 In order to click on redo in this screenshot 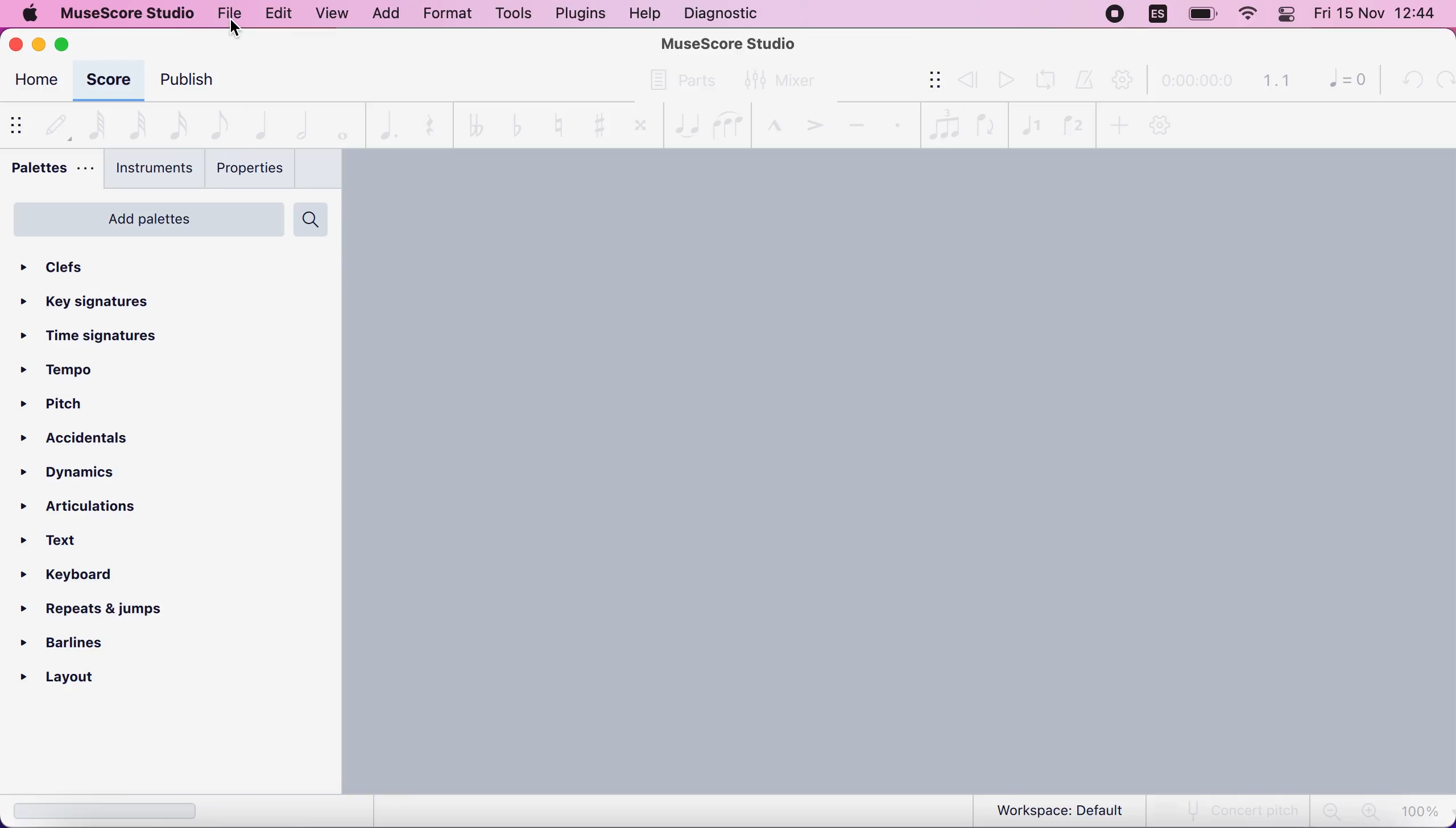, I will do `click(1442, 80)`.